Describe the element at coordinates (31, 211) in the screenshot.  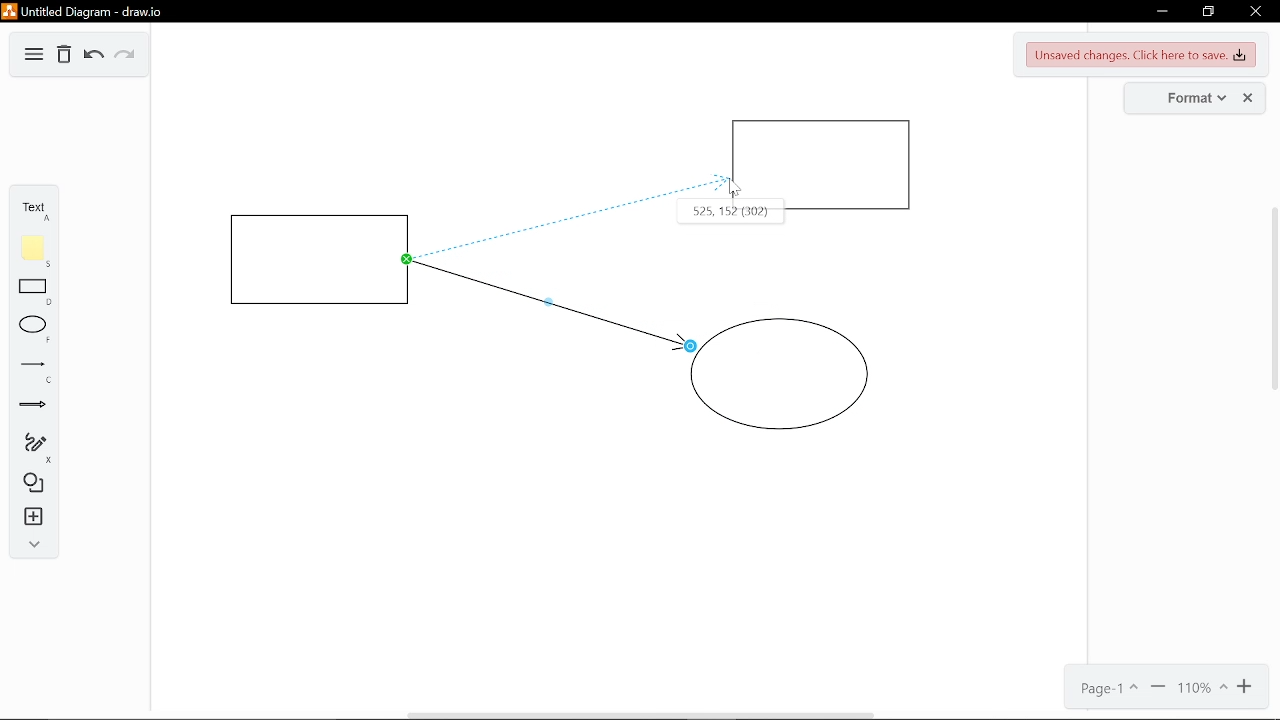
I see `text` at that location.